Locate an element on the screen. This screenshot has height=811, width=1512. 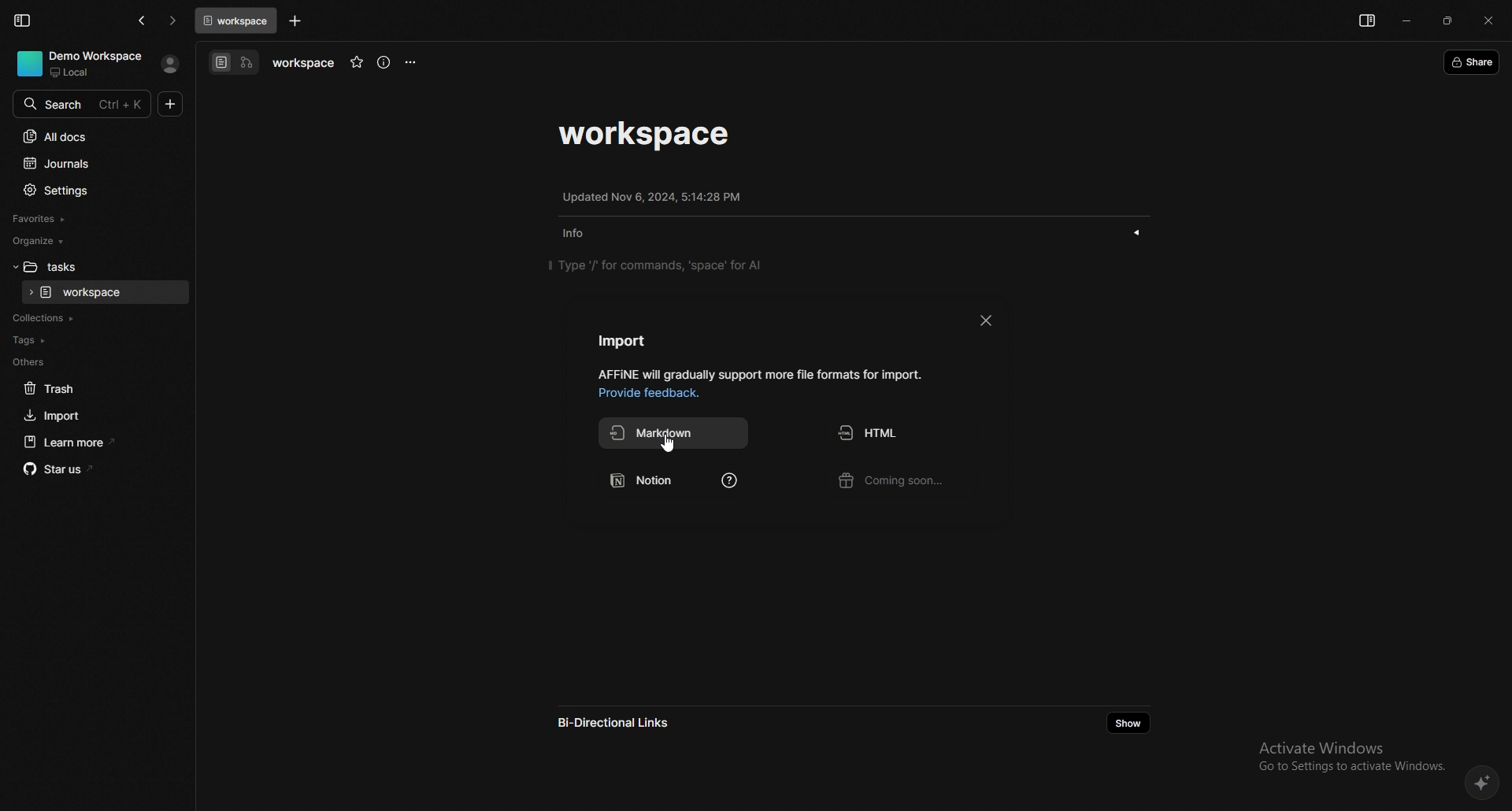
switch is located at coordinates (235, 63).